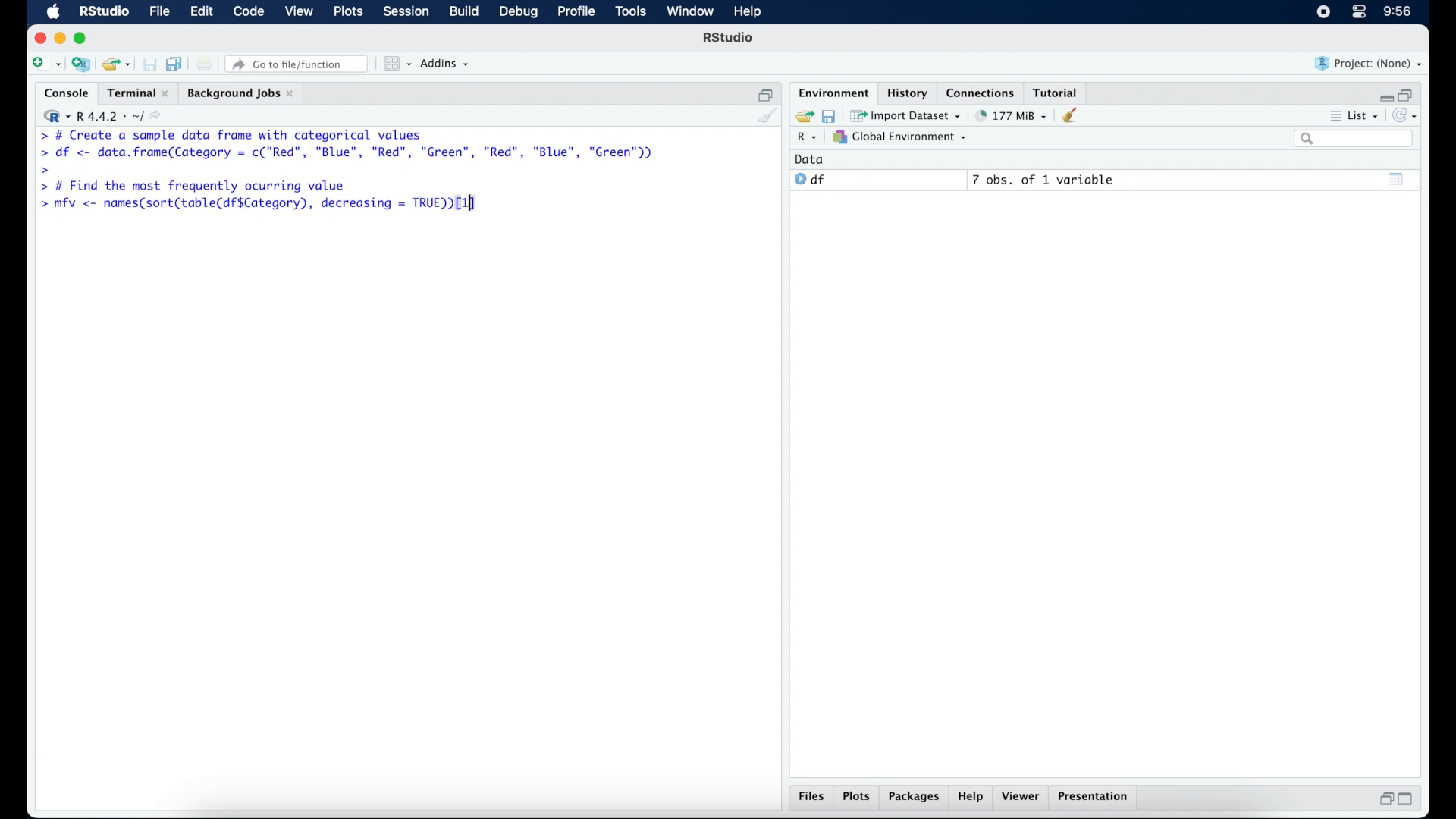 The image size is (1456, 819). I want to click on packages, so click(915, 799).